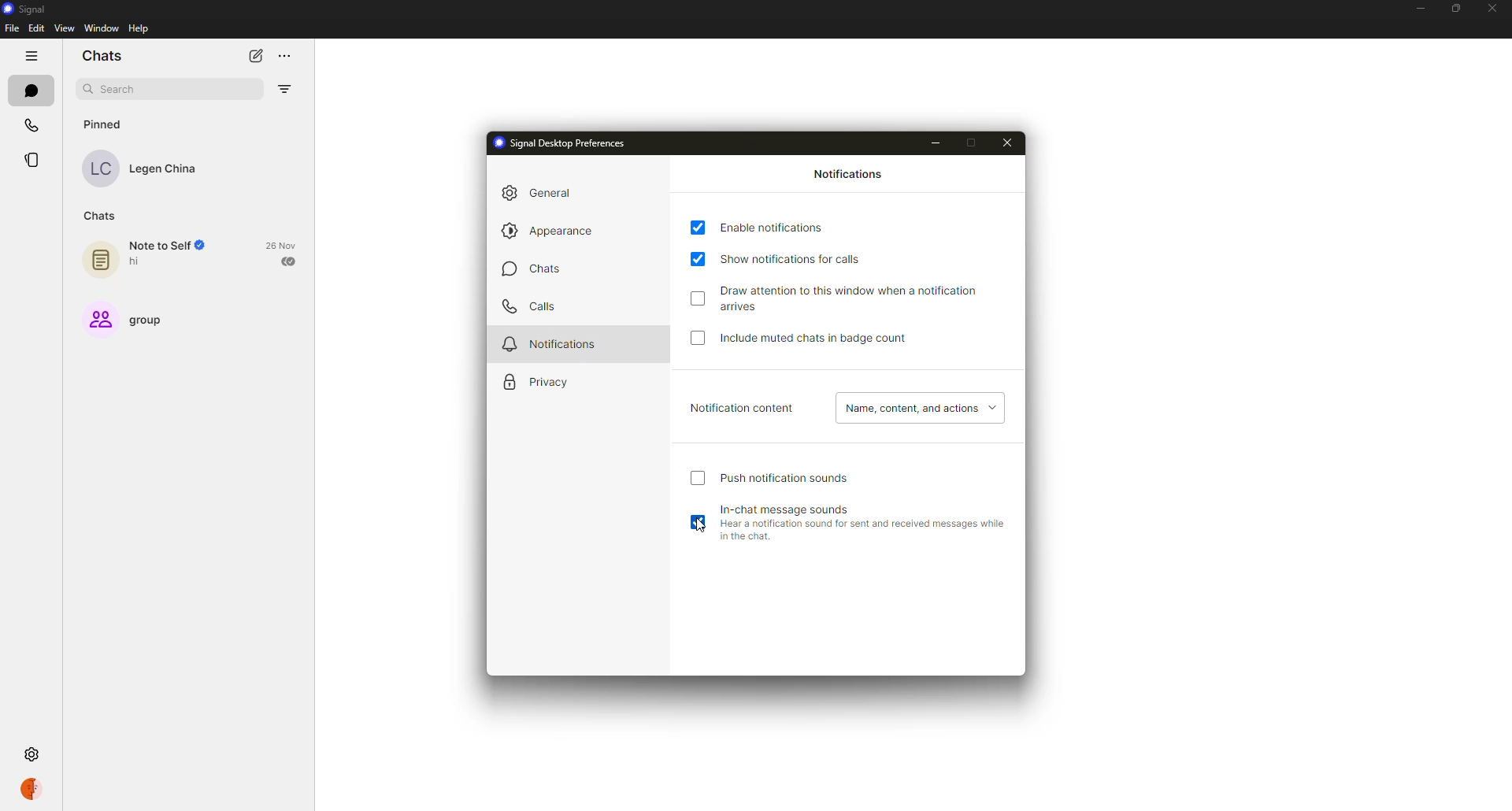 The width and height of the screenshot is (1512, 811). Describe the element at coordinates (29, 9) in the screenshot. I see `signal` at that location.